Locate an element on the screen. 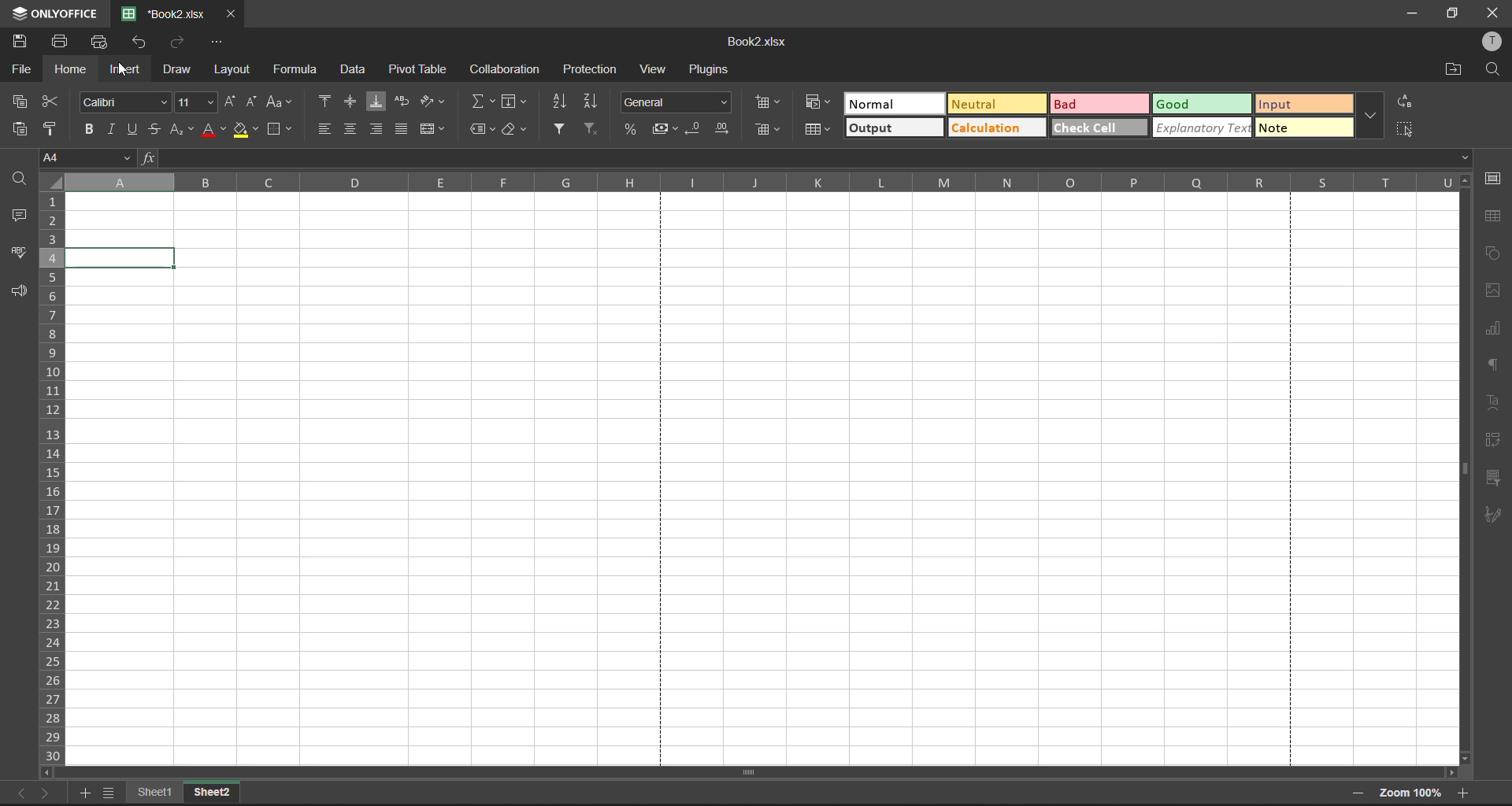 This screenshot has height=806, width=1512. charts is located at coordinates (1493, 330).